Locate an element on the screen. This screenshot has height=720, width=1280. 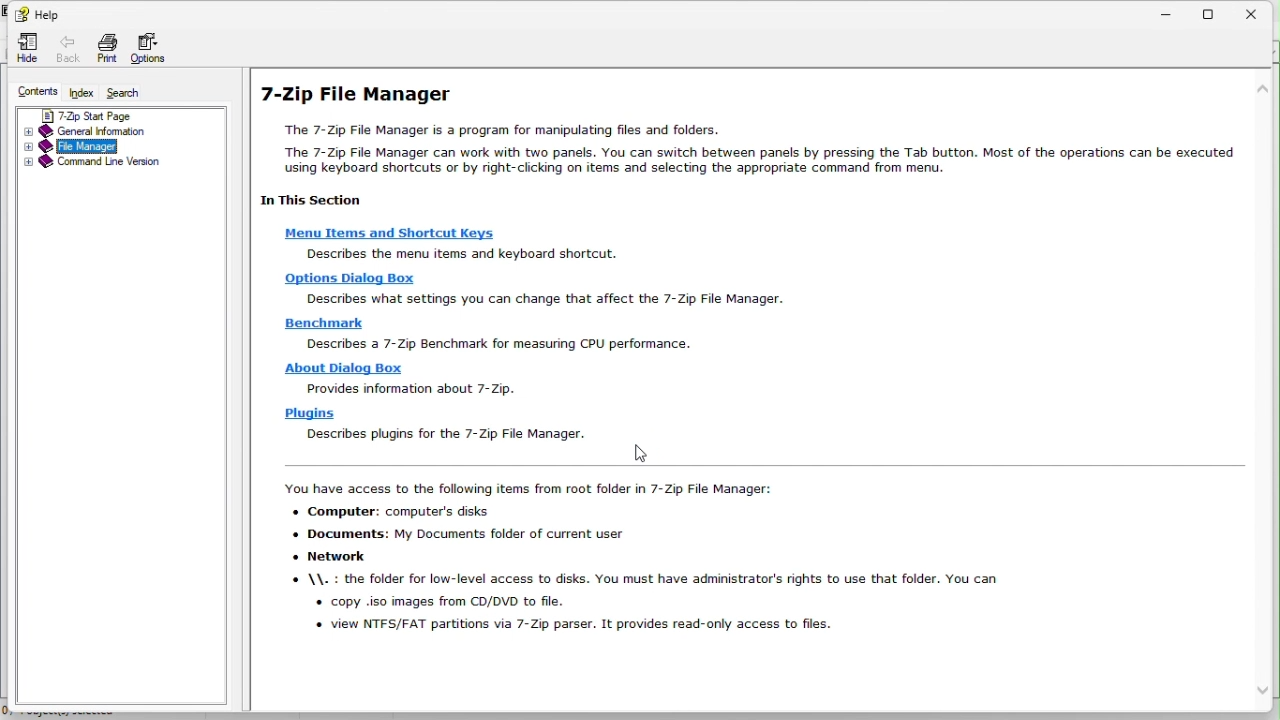
Back is located at coordinates (67, 47).